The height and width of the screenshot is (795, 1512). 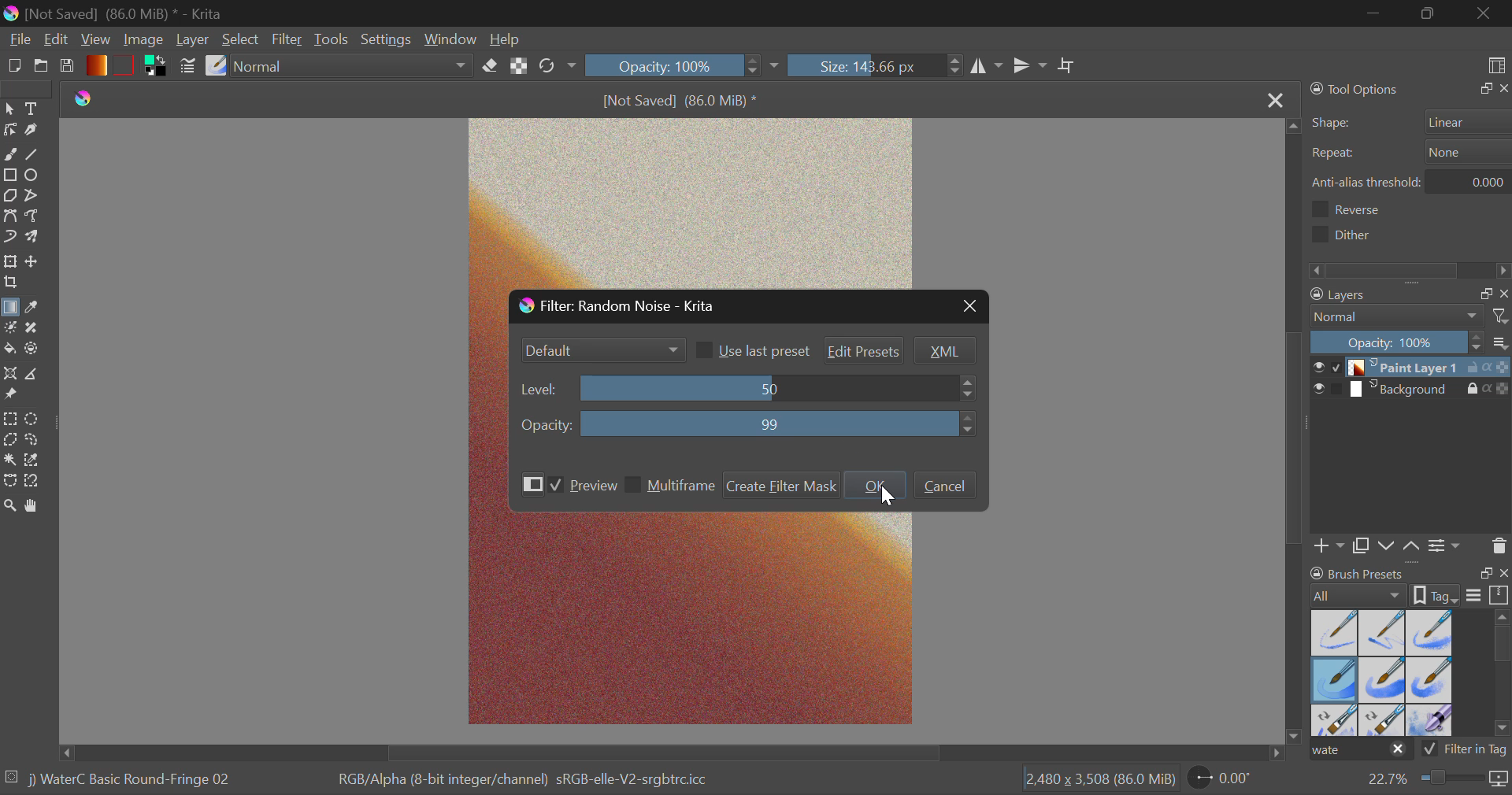 I want to click on New, so click(x=14, y=66).